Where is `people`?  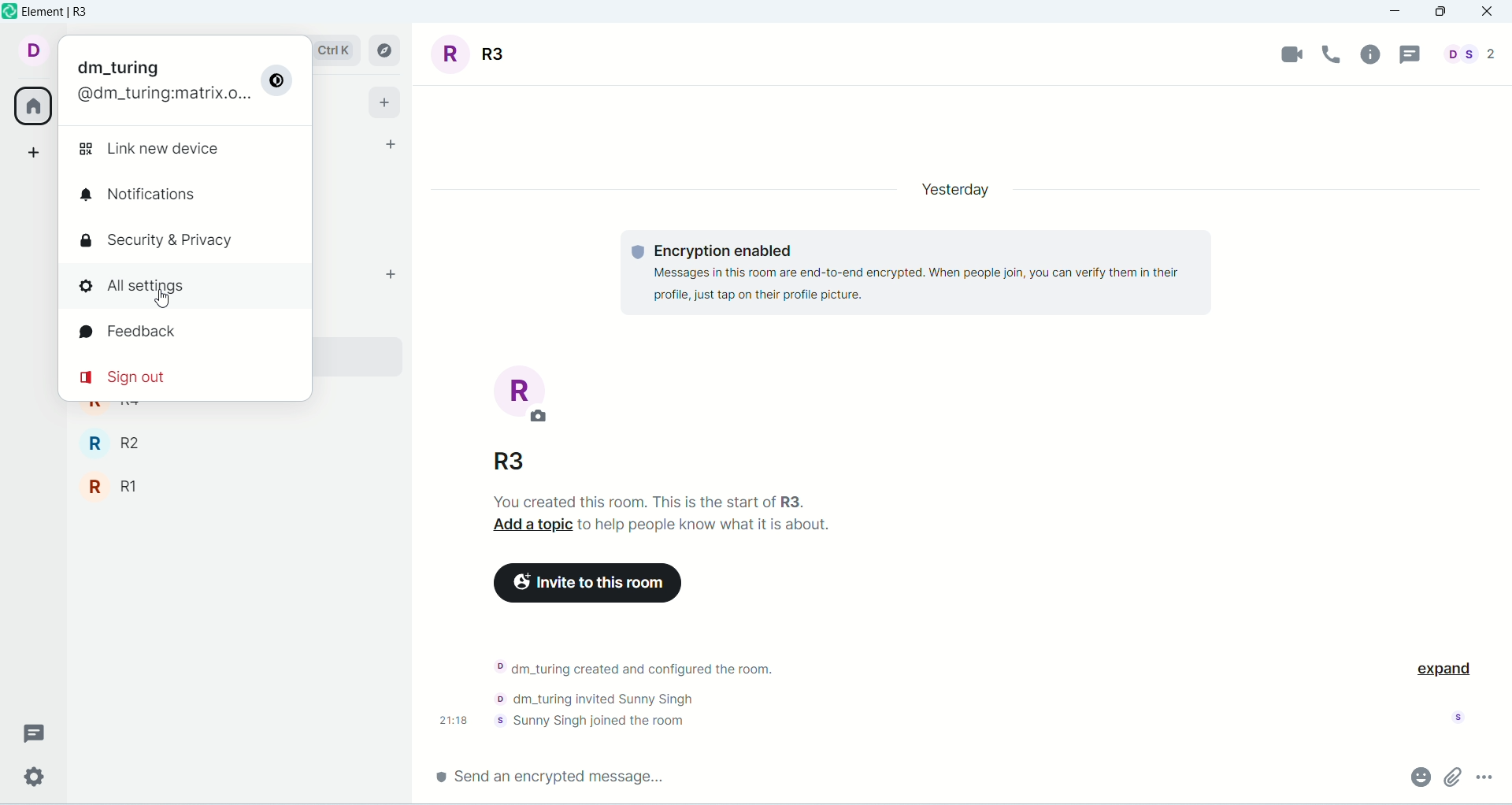 people is located at coordinates (1466, 54).